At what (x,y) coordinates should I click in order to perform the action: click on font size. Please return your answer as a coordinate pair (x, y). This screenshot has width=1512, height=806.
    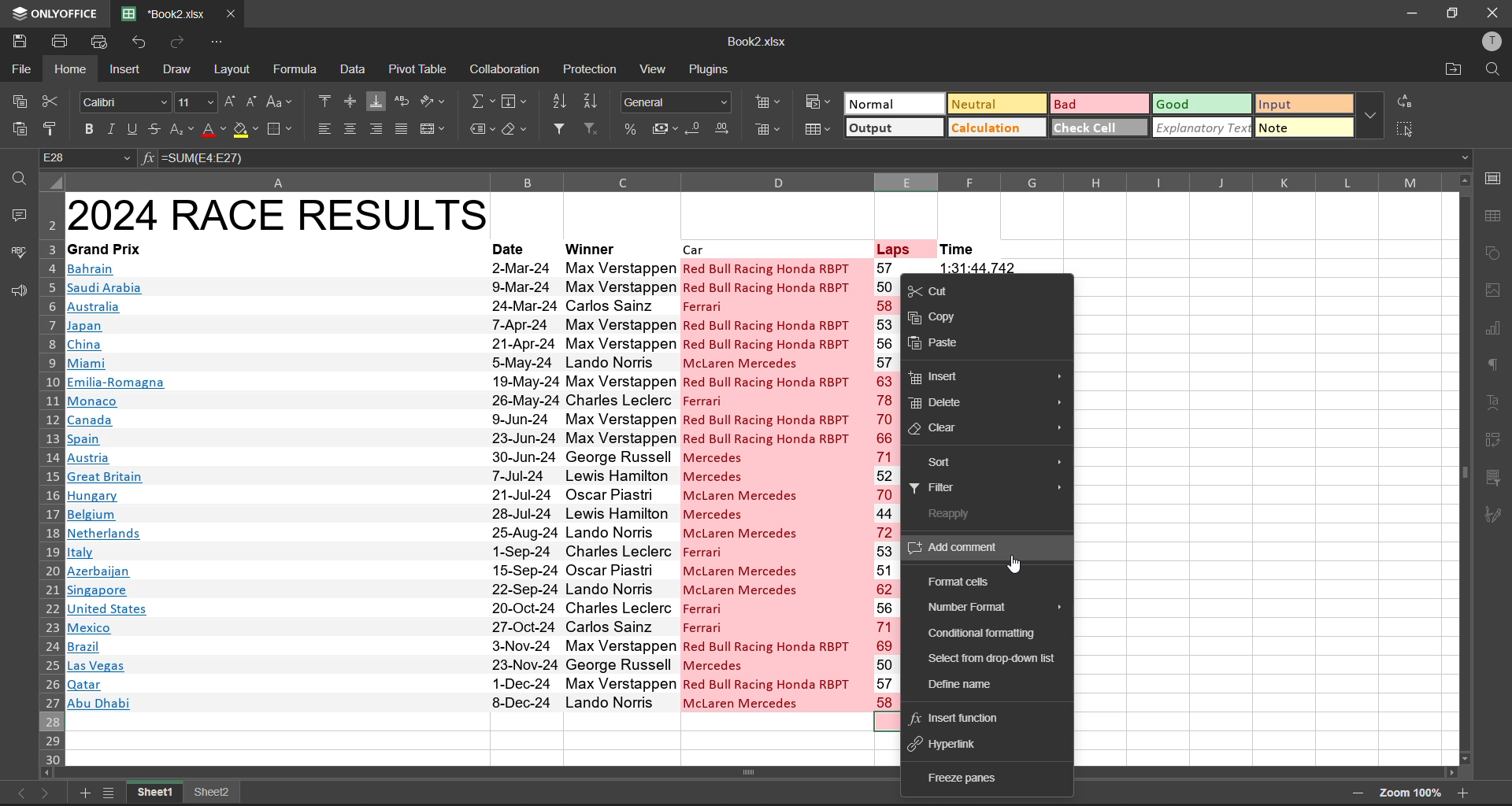
    Looking at the image, I should click on (198, 102).